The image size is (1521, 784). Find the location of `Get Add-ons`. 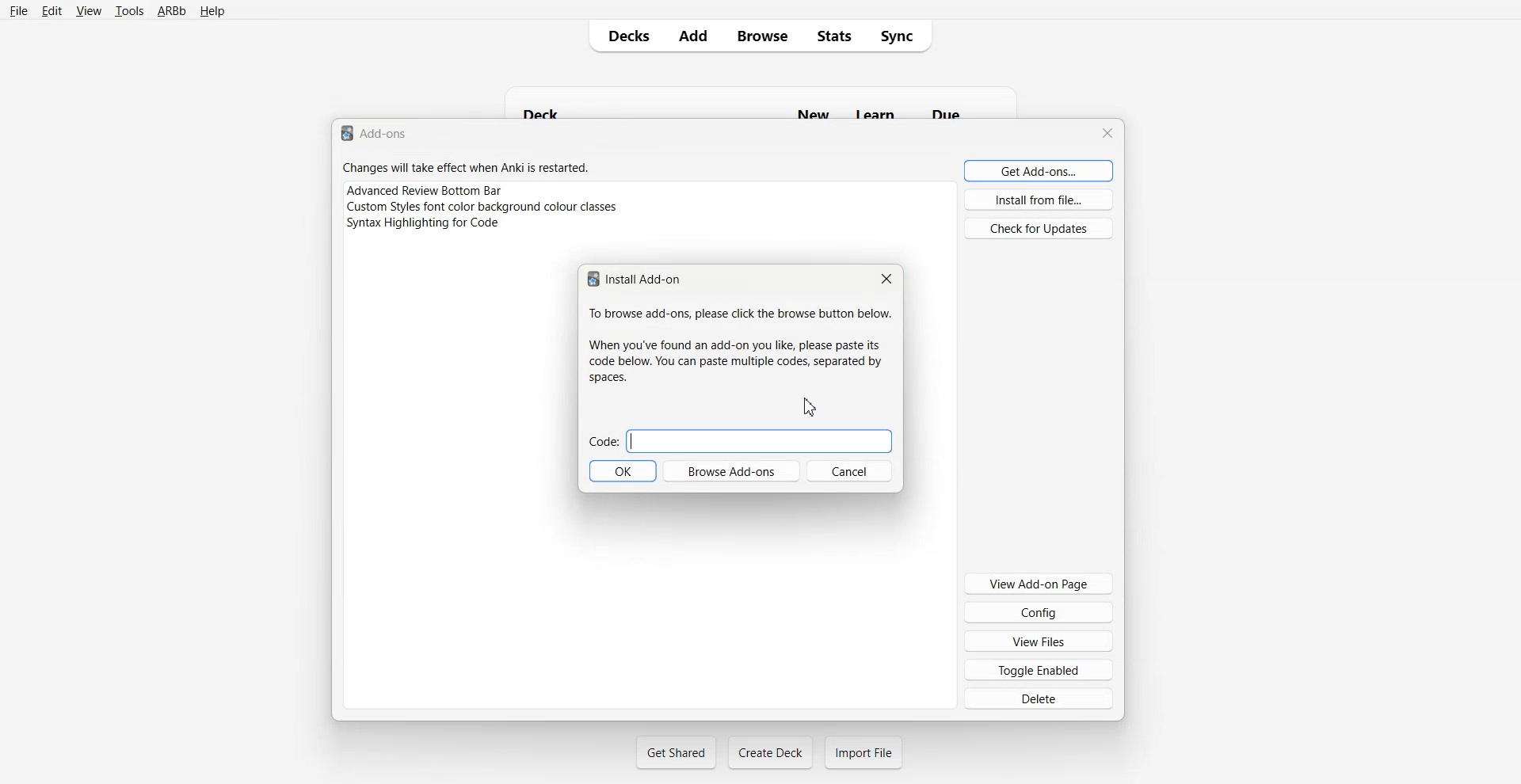

Get Add-ons is located at coordinates (1039, 170).